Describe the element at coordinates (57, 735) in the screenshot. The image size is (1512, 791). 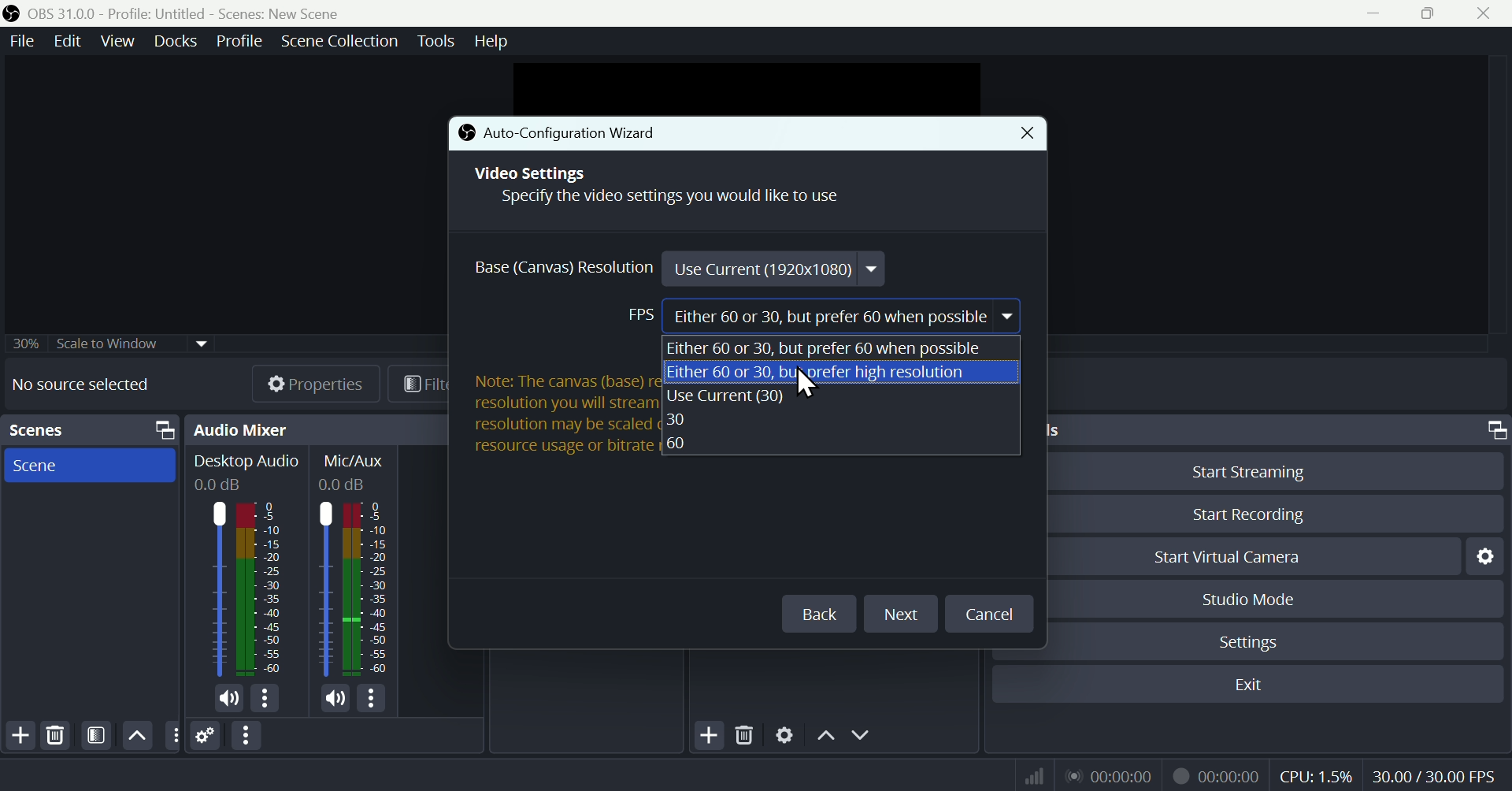
I see `Delete` at that location.